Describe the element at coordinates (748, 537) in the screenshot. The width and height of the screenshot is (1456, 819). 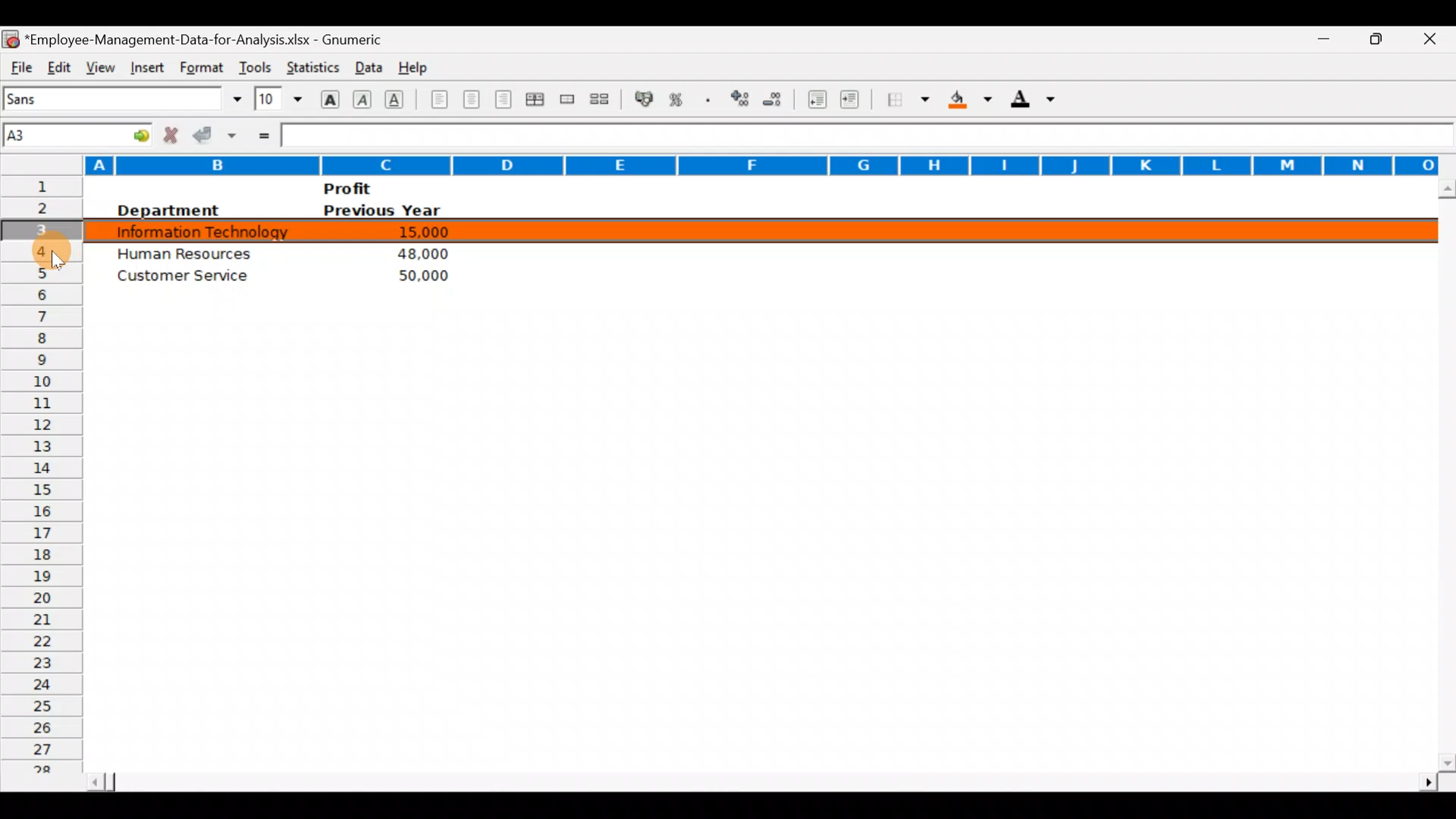
I see `Cells` at that location.